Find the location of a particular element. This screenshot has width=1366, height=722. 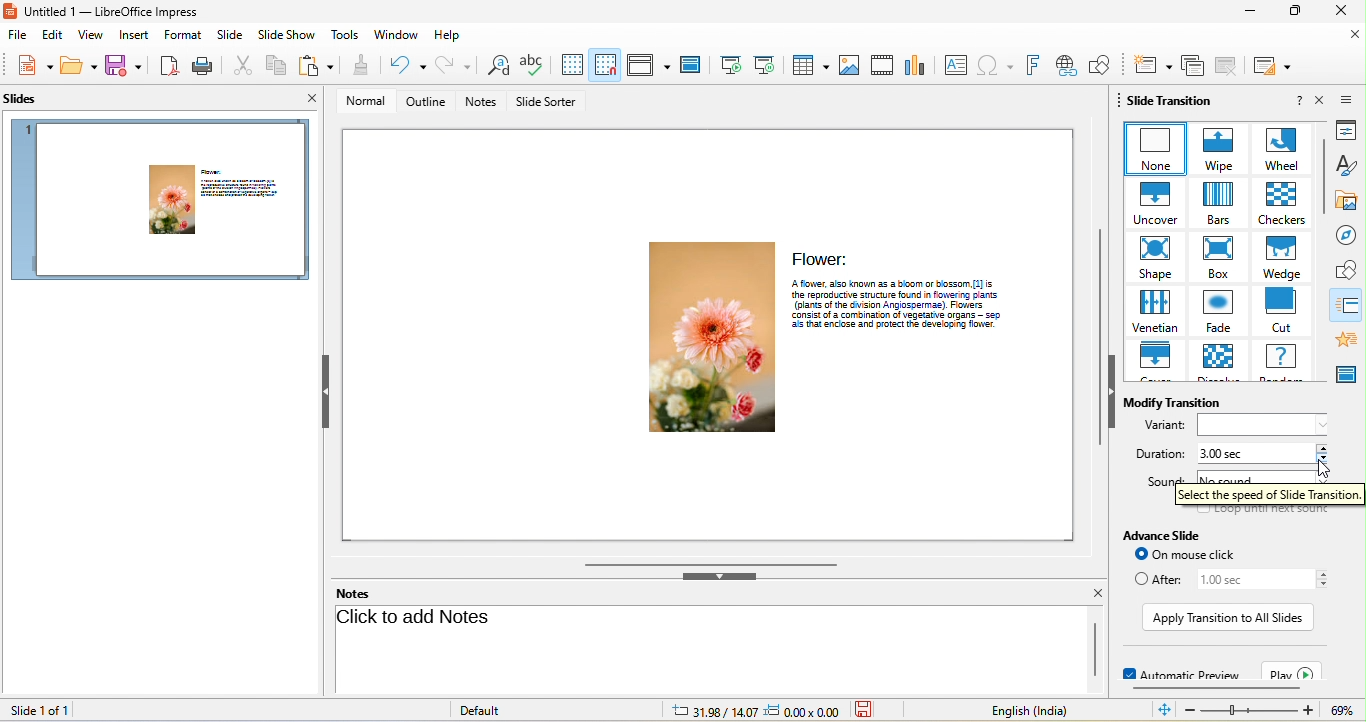

hide sidebar is located at coordinates (1112, 391).